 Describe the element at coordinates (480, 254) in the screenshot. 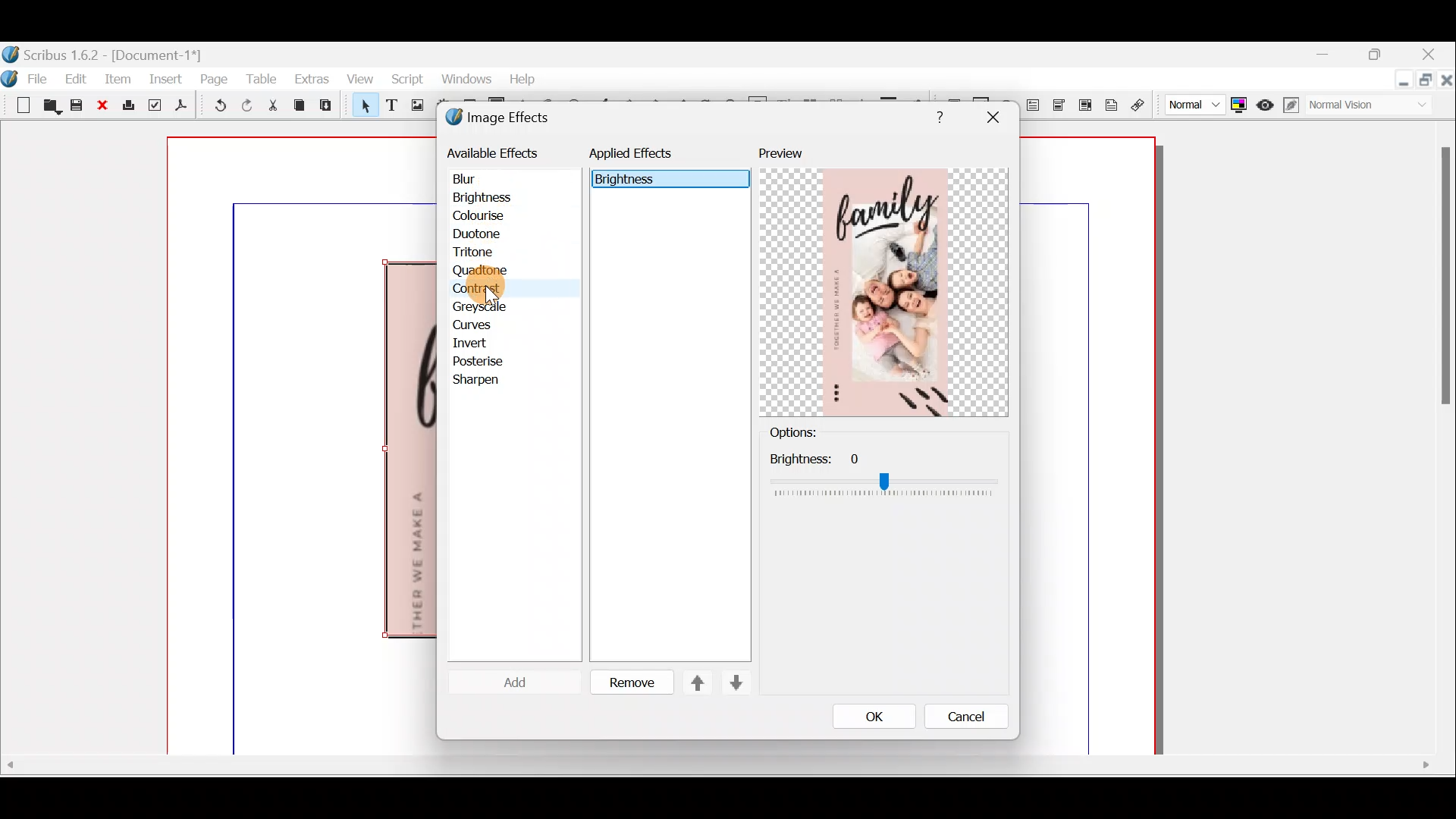

I see `Tritone` at that location.